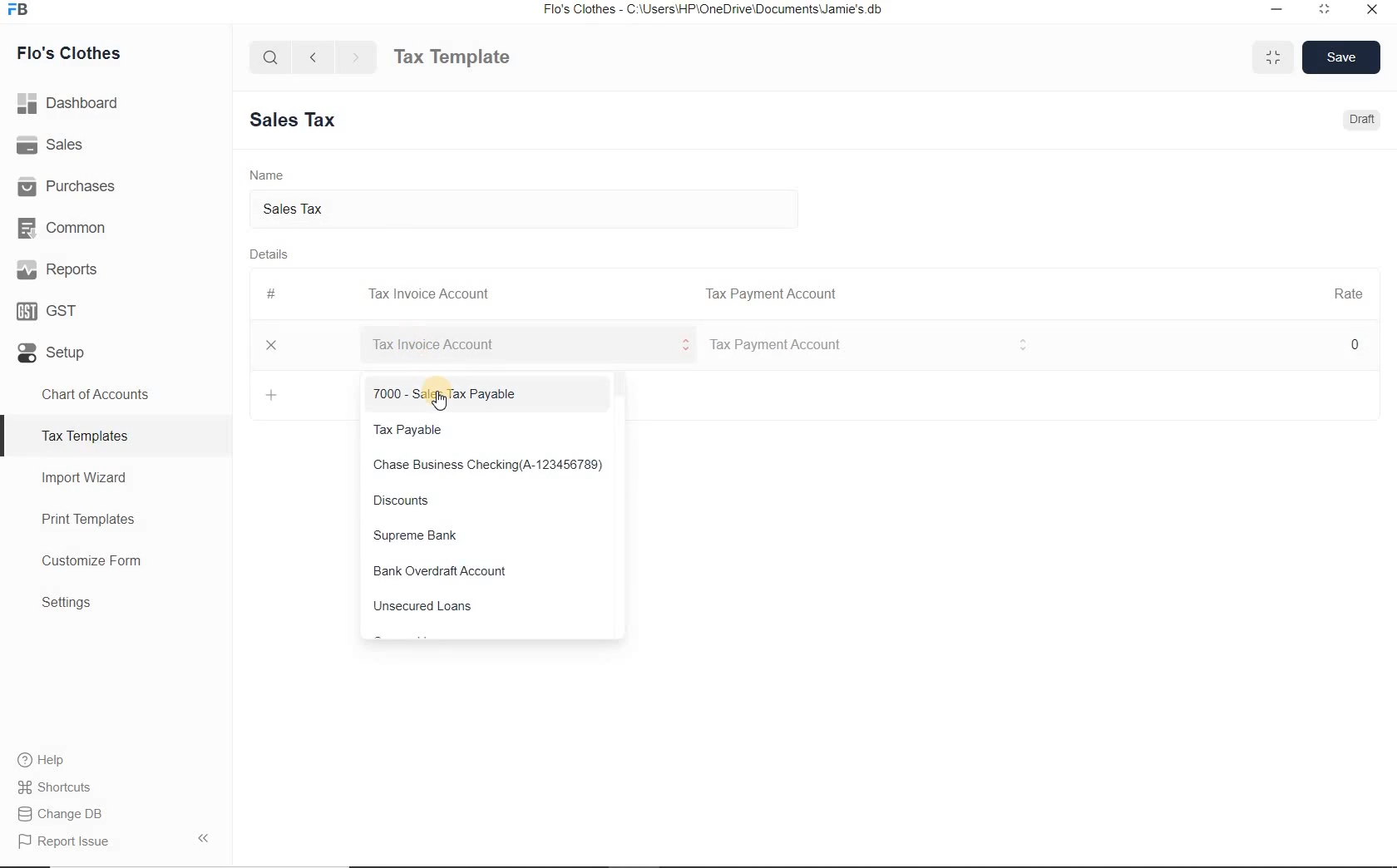  I want to click on Dashboard, so click(116, 103).